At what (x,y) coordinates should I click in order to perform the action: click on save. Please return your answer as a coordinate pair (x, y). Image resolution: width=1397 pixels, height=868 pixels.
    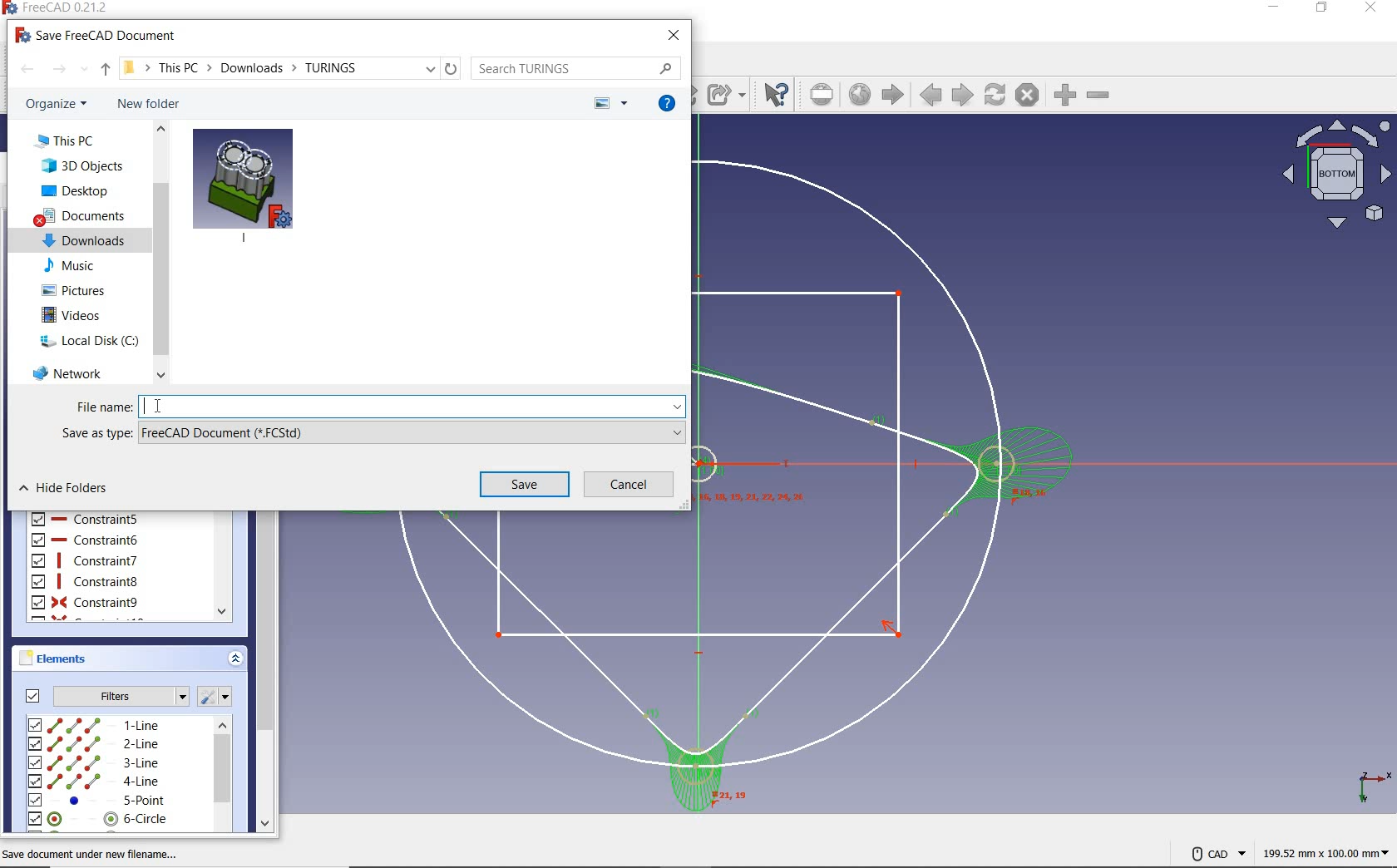
    Looking at the image, I should click on (526, 484).